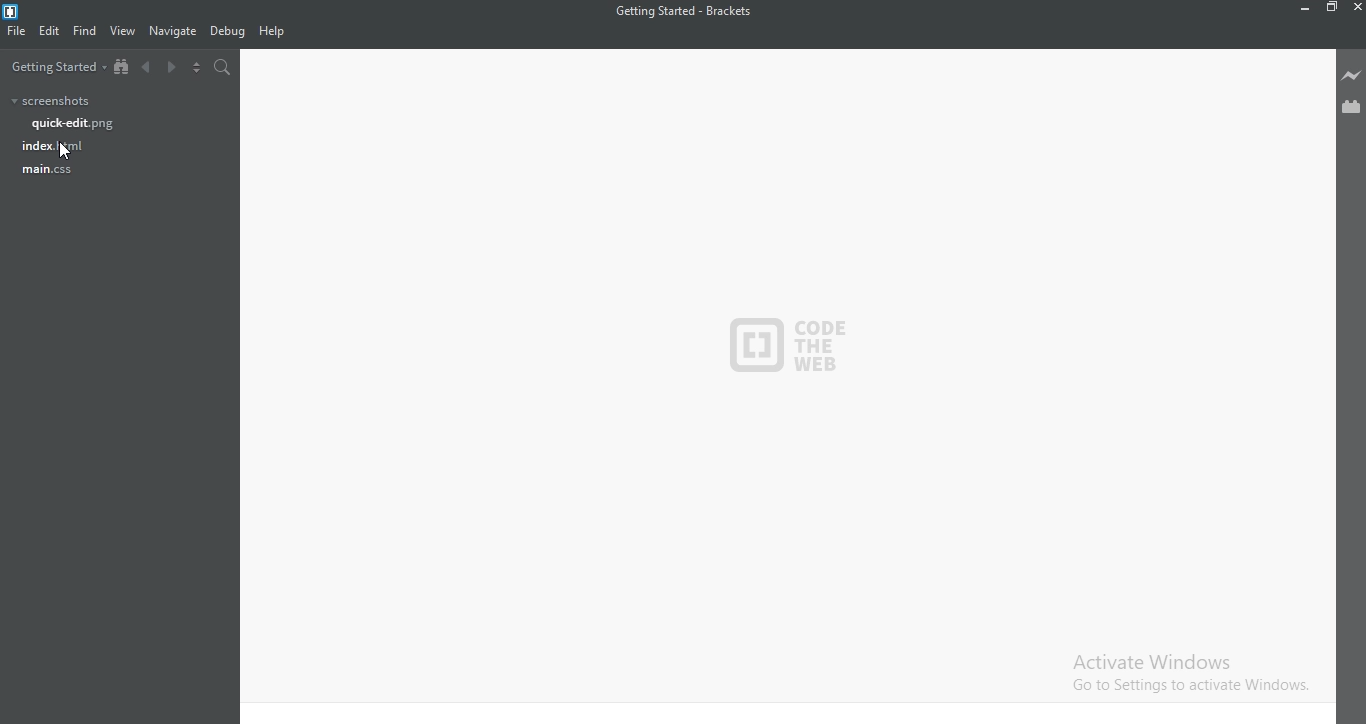  What do you see at coordinates (54, 174) in the screenshot?
I see `main.css` at bounding box center [54, 174].